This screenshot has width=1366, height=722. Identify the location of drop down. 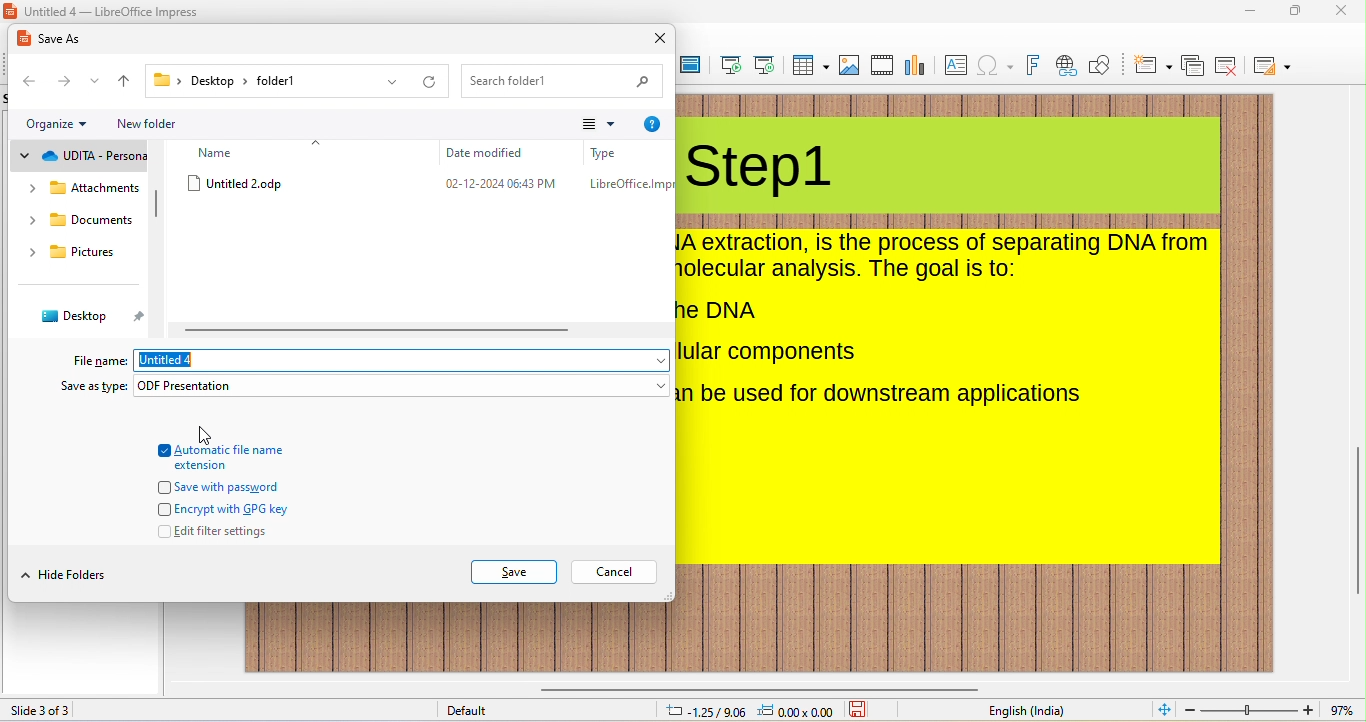
(32, 189).